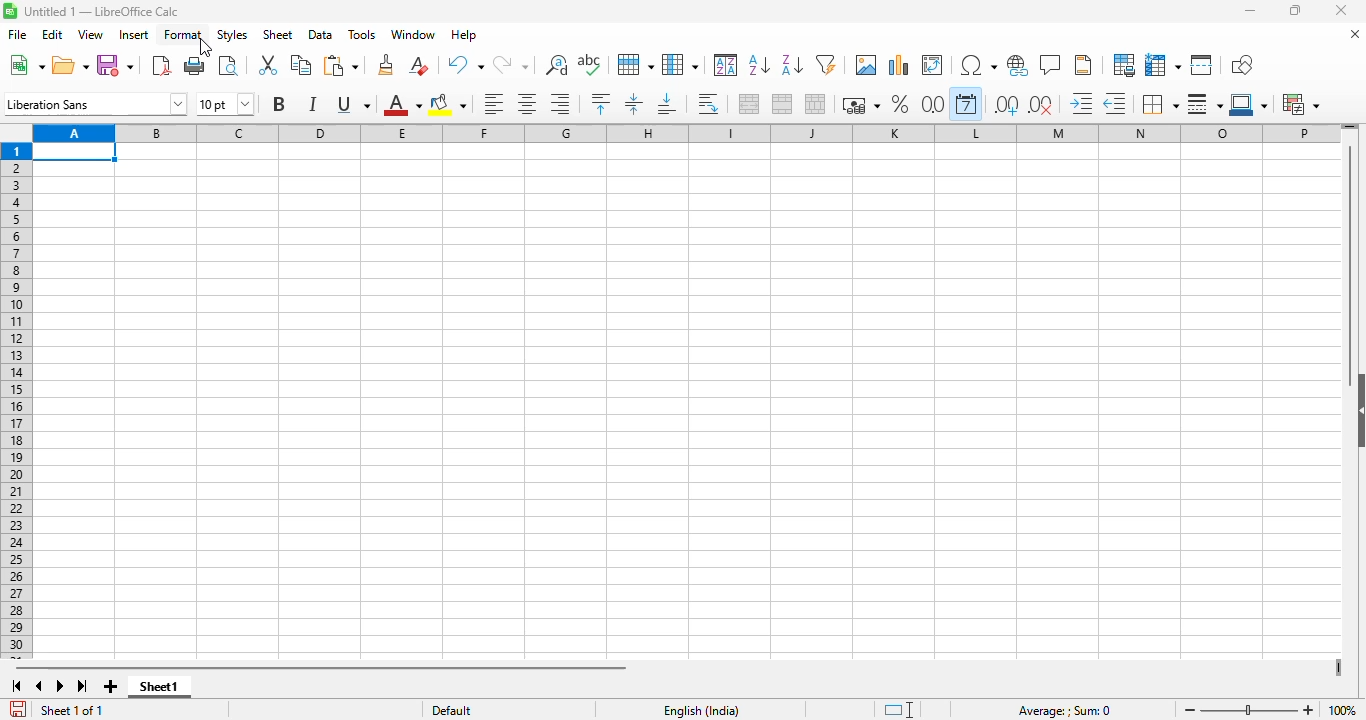 The width and height of the screenshot is (1366, 720). Describe the element at coordinates (1052, 64) in the screenshot. I see `insert comment` at that location.